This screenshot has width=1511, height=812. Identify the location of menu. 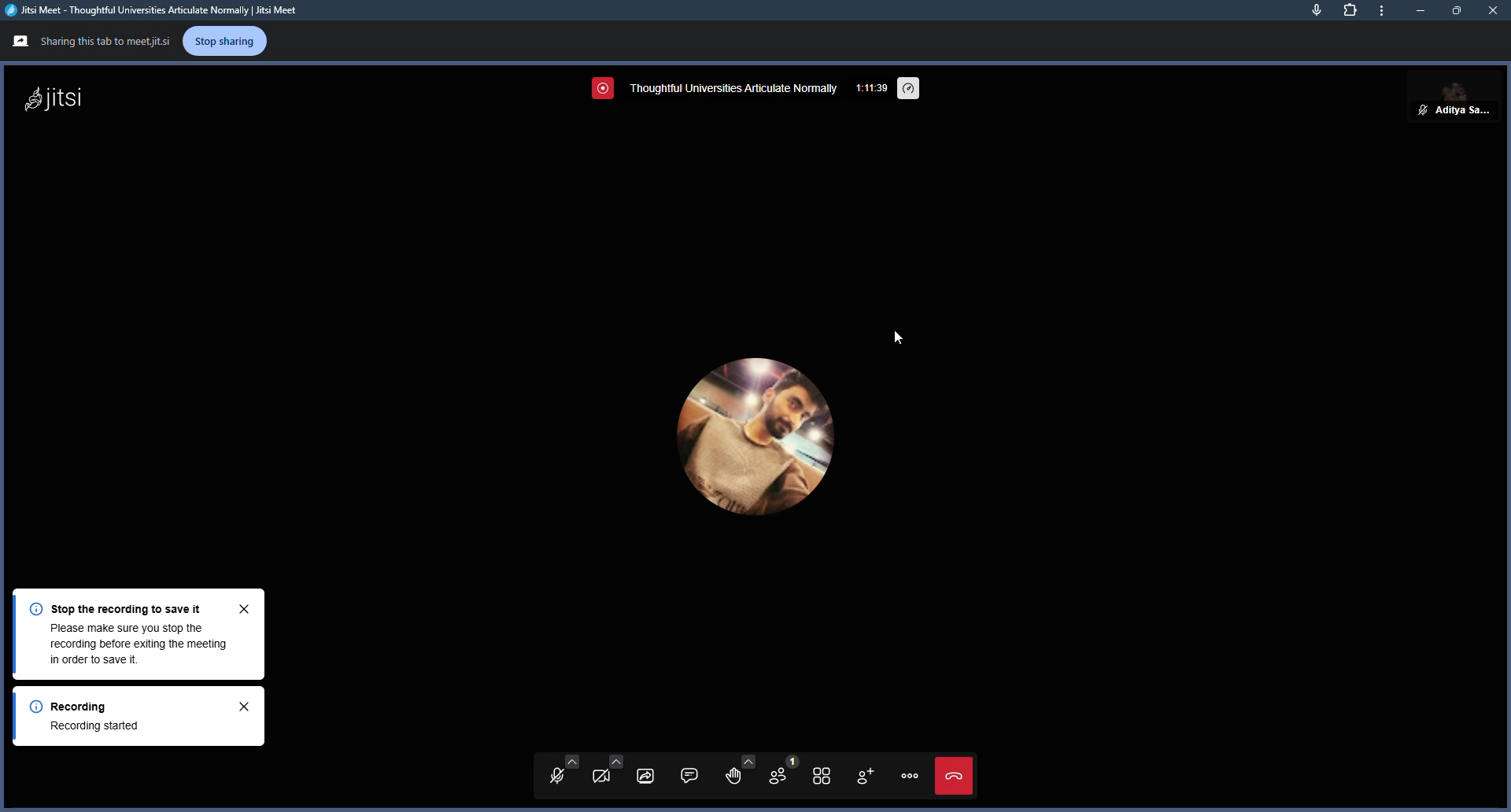
(907, 778).